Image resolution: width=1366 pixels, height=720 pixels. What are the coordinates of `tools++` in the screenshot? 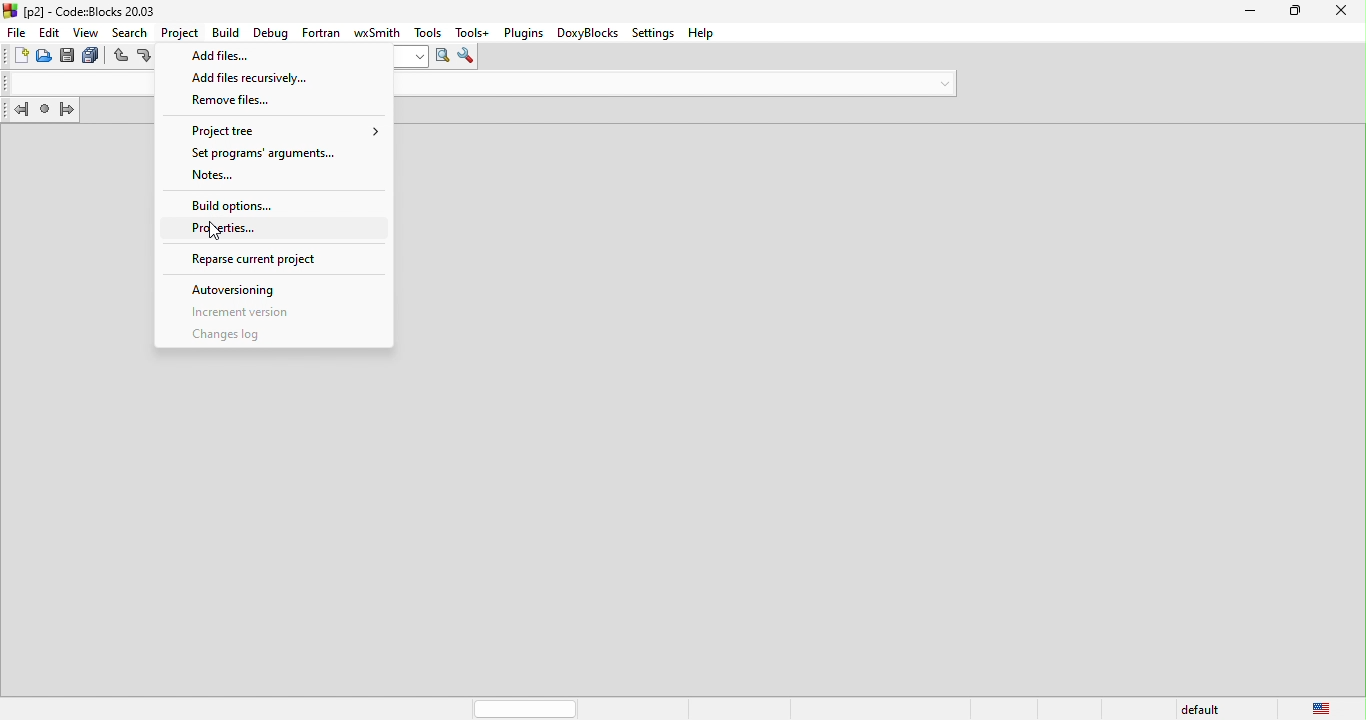 It's located at (473, 32).